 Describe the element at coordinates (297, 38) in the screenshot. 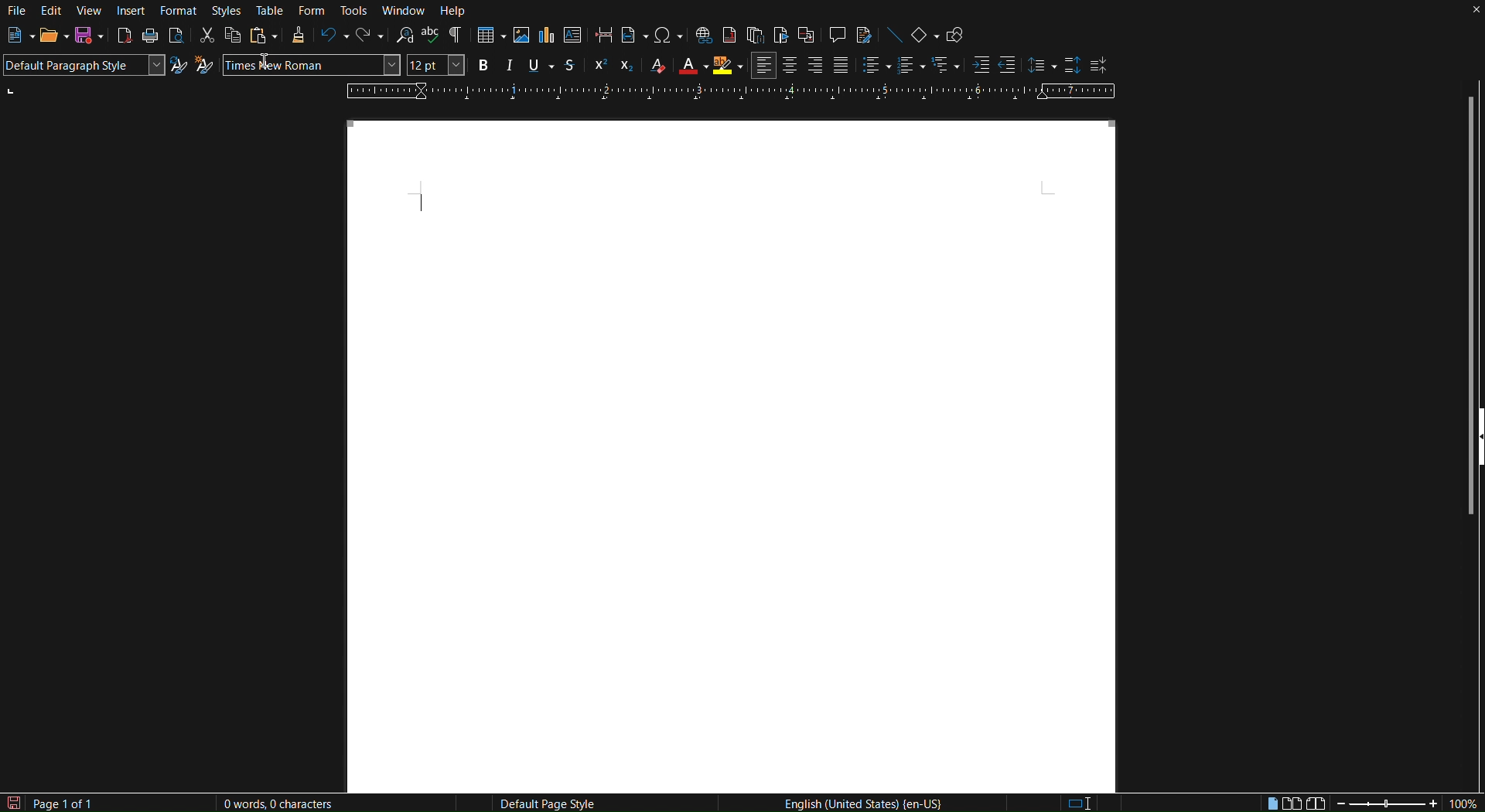

I see `Clone Formatting` at that location.